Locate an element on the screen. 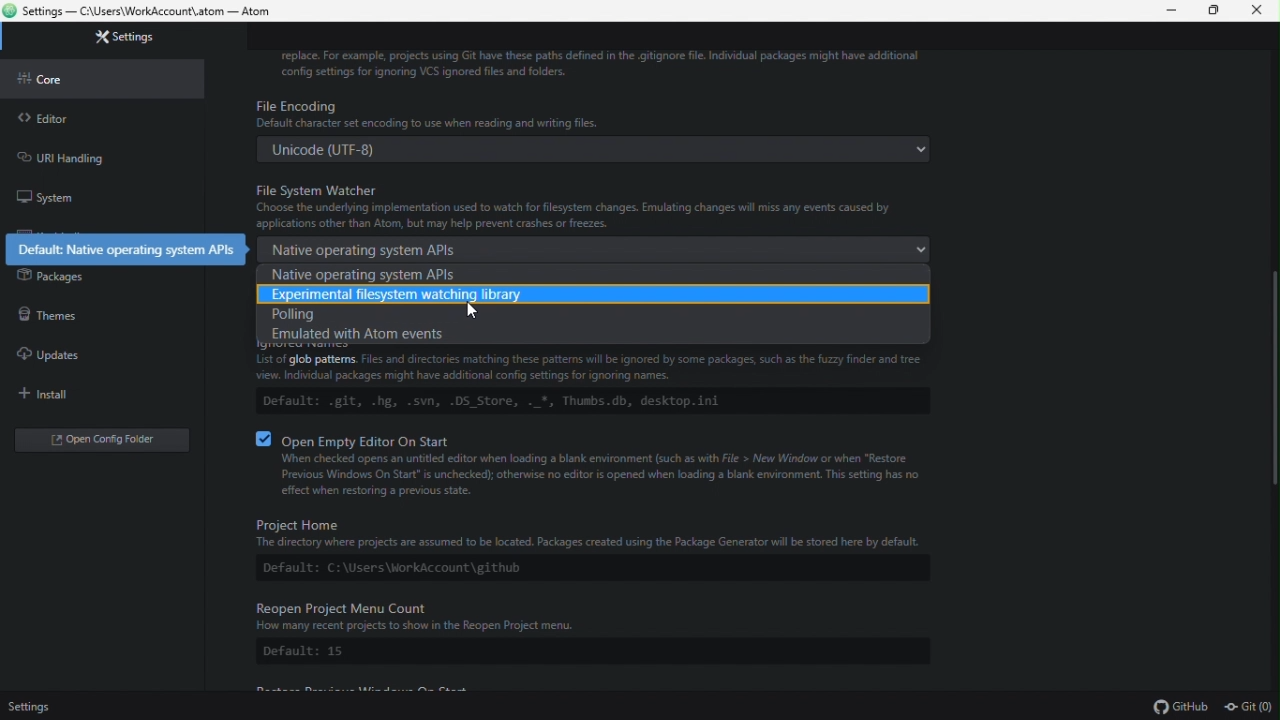 The width and height of the screenshot is (1280, 720). Emulated with atom events is located at coordinates (595, 335).